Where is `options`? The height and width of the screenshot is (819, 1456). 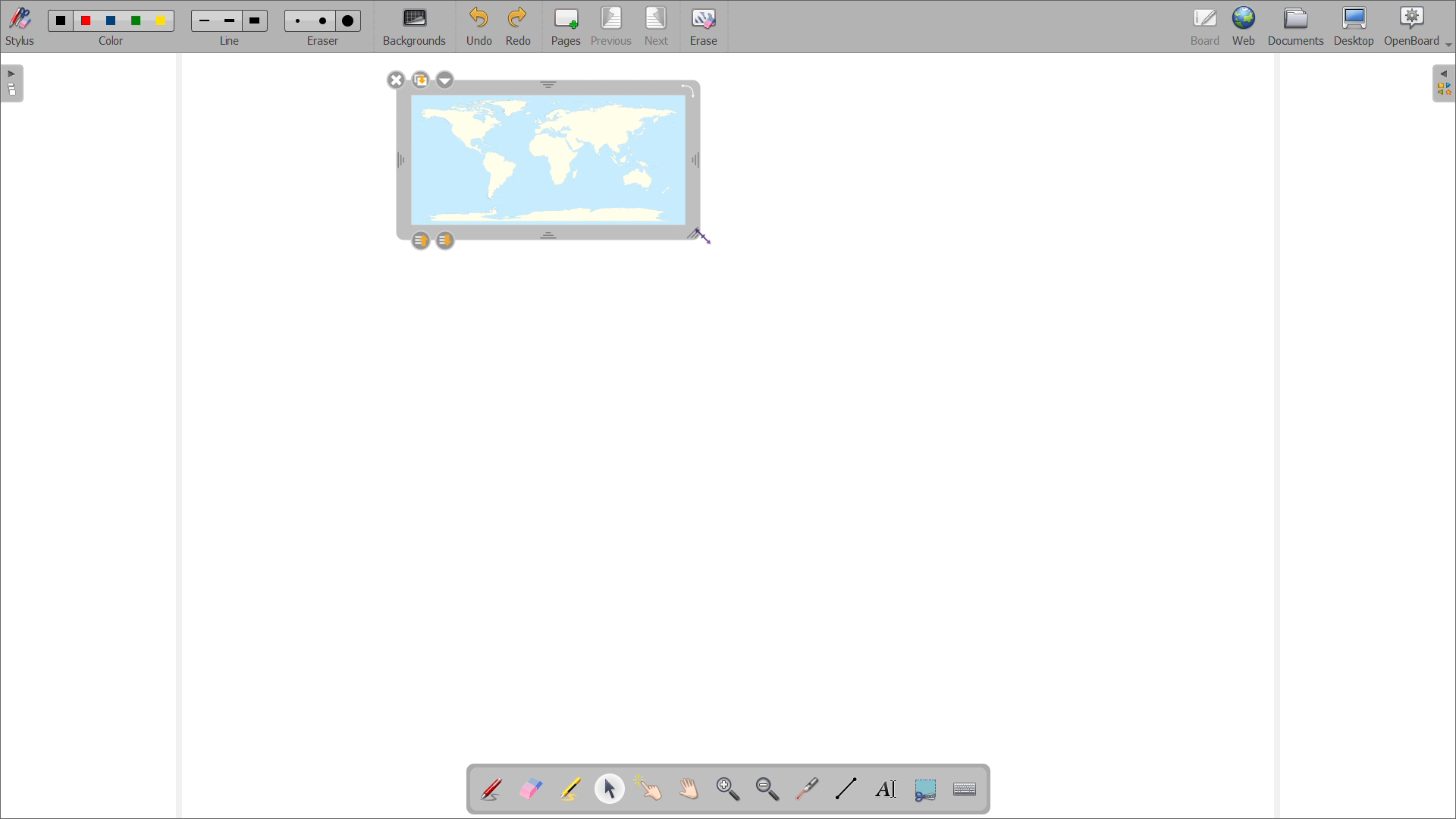 options is located at coordinates (445, 80).